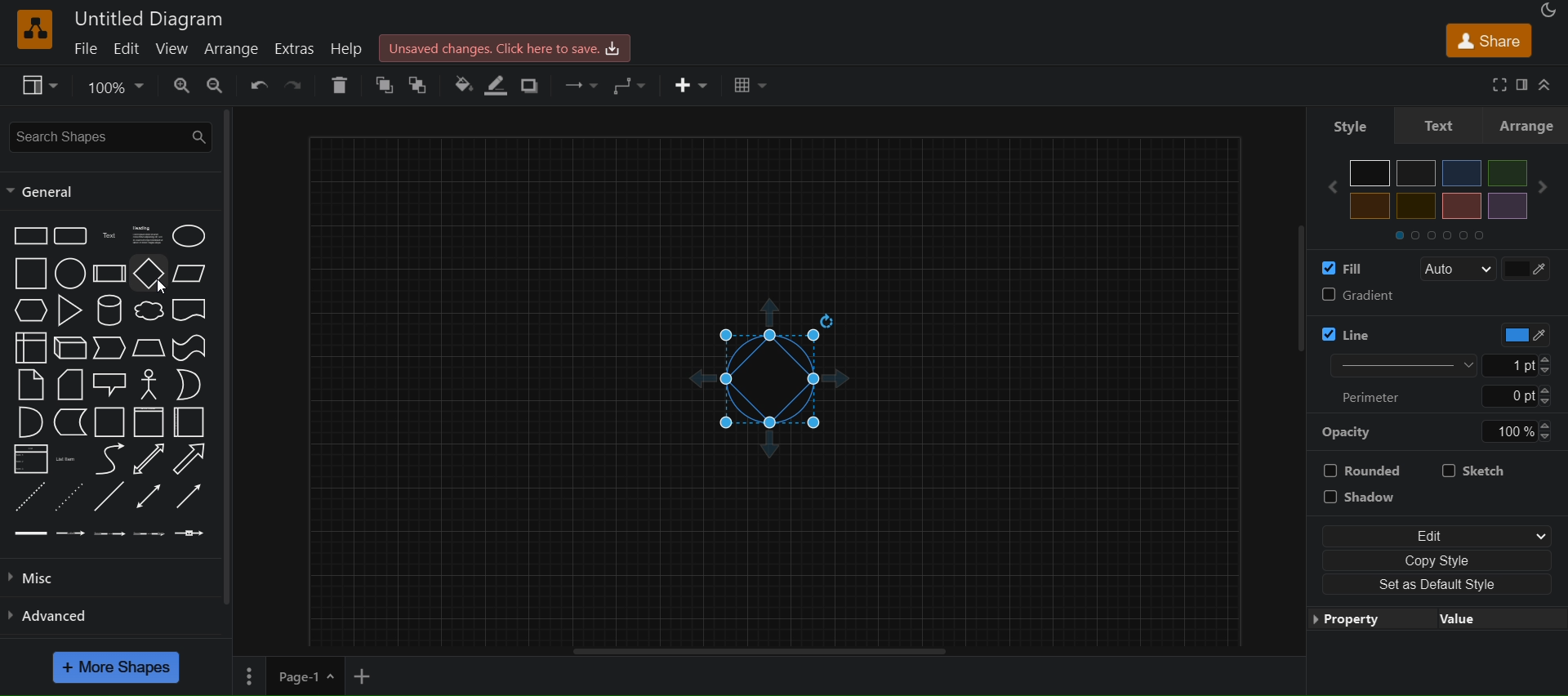  What do you see at coordinates (1435, 626) in the screenshot?
I see `property` at bounding box center [1435, 626].